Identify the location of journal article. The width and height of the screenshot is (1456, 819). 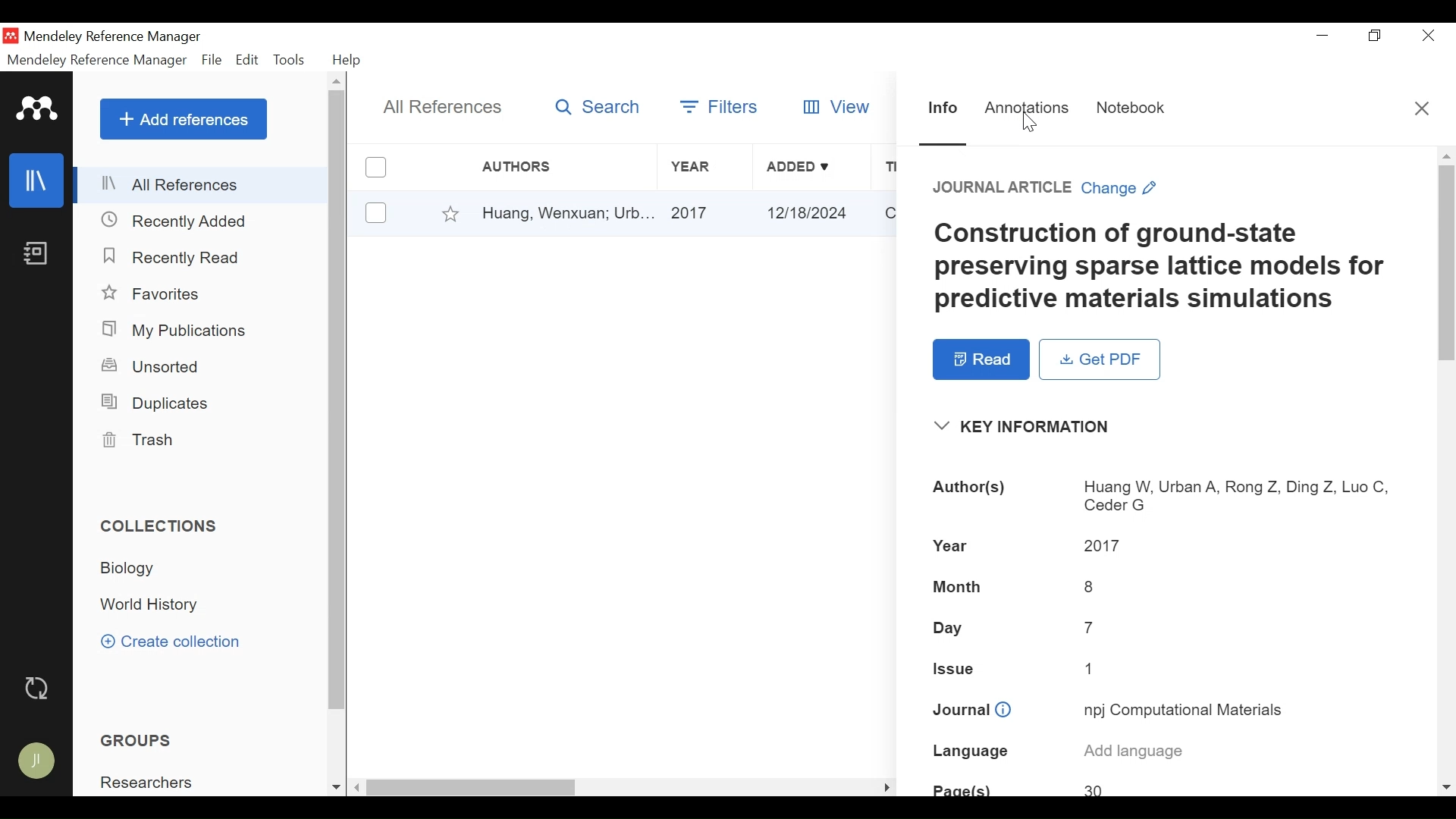
(1003, 188).